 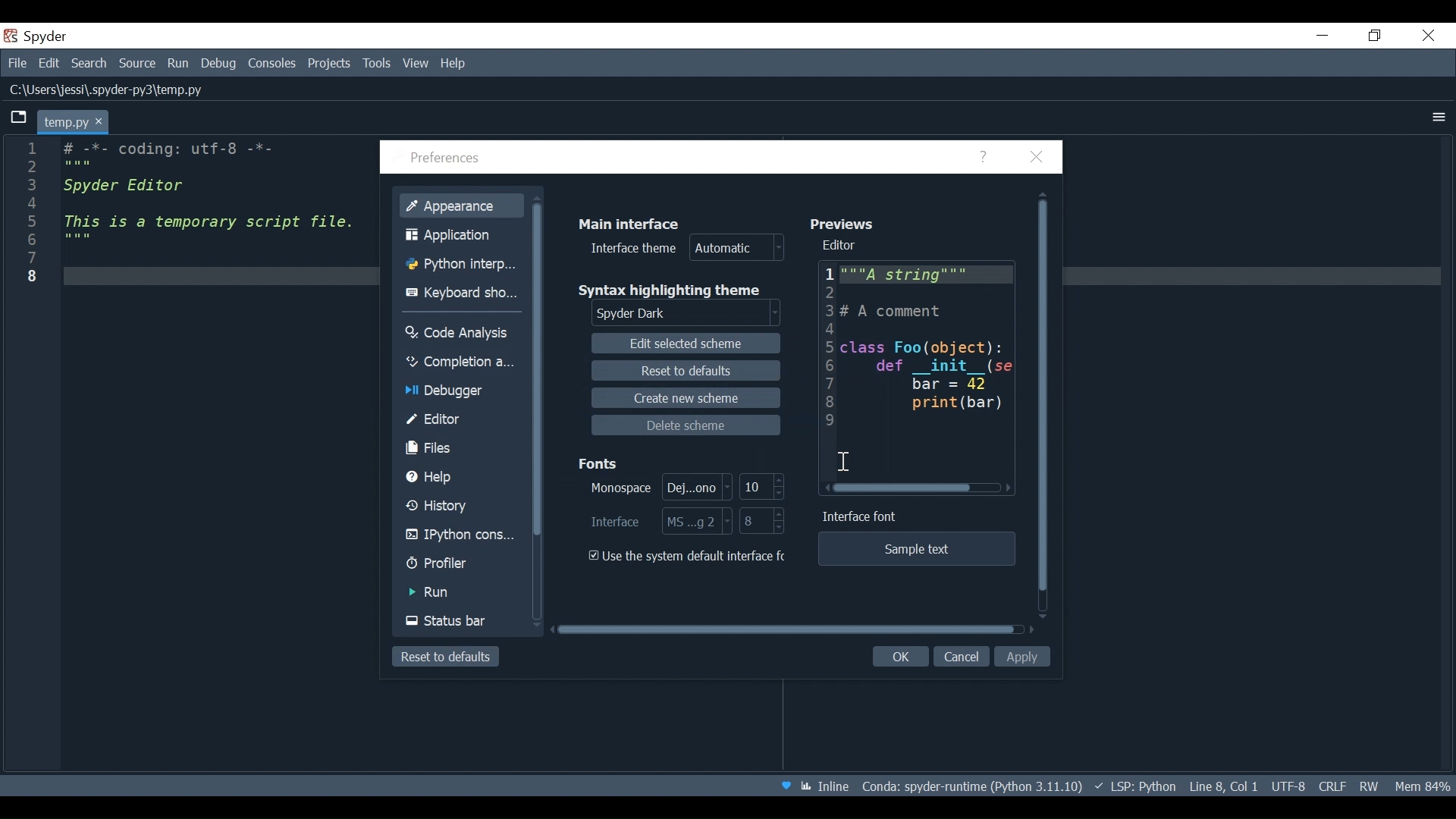 What do you see at coordinates (465, 234) in the screenshot?
I see `Application` at bounding box center [465, 234].